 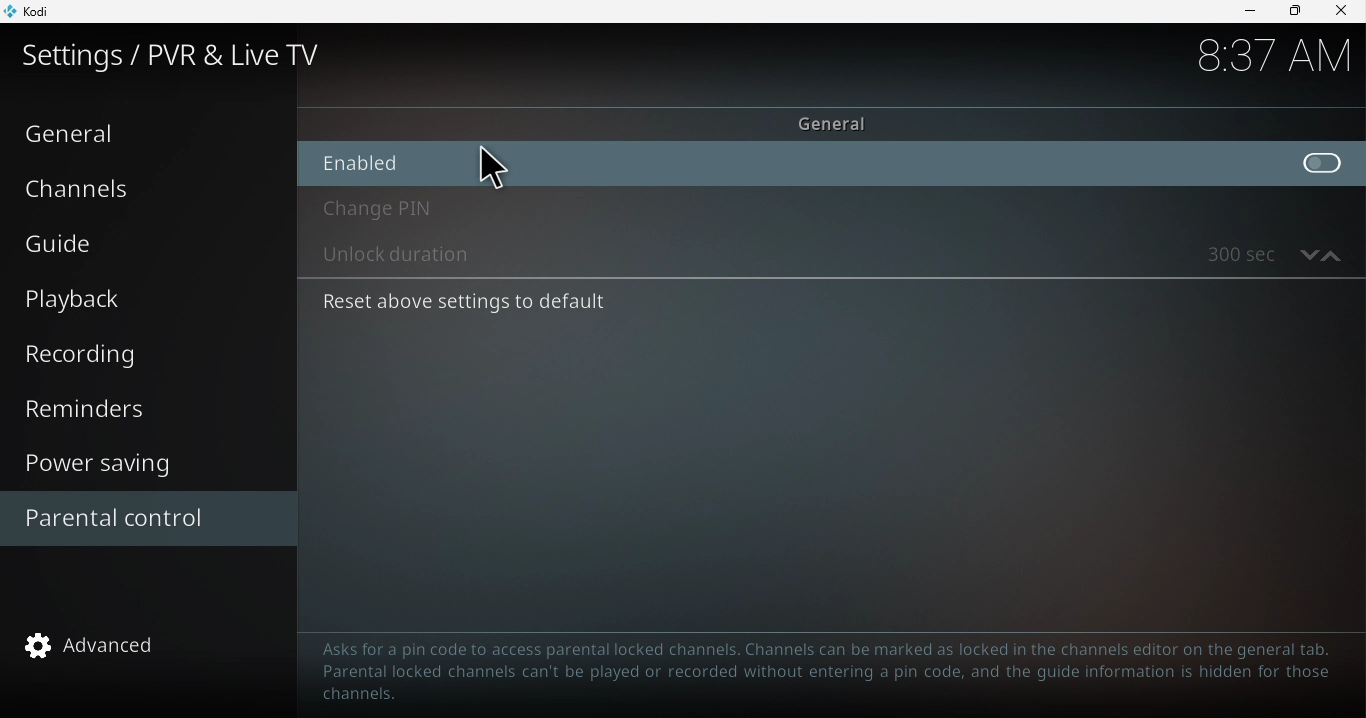 What do you see at coordinates (835, 123) in the screenshot?
I see `General` at bounding box center [835, 123].